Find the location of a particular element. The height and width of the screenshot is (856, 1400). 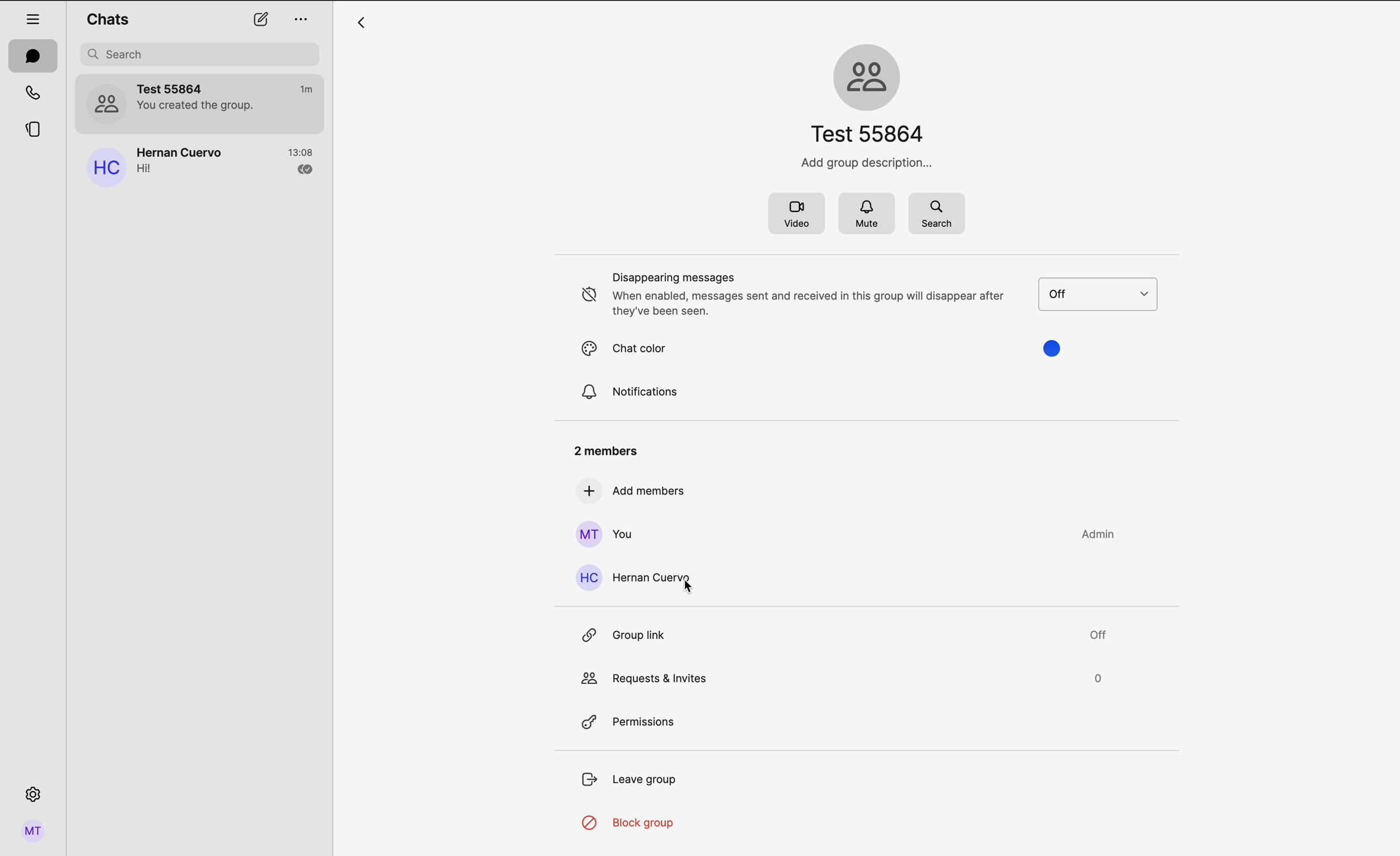

disappearing messages is located at coordinates (864, 291).